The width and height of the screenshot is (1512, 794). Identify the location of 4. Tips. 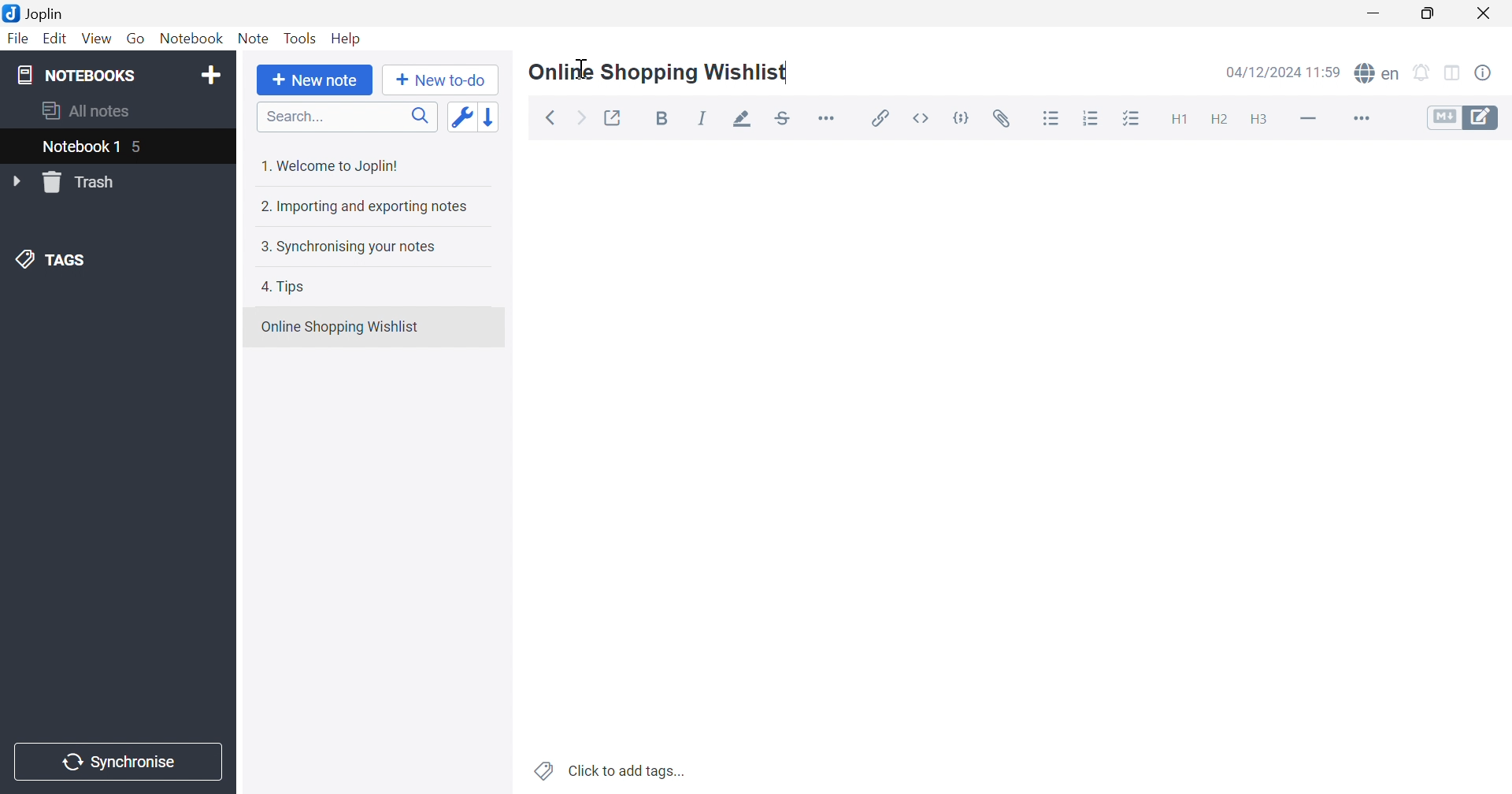
(287, 287).